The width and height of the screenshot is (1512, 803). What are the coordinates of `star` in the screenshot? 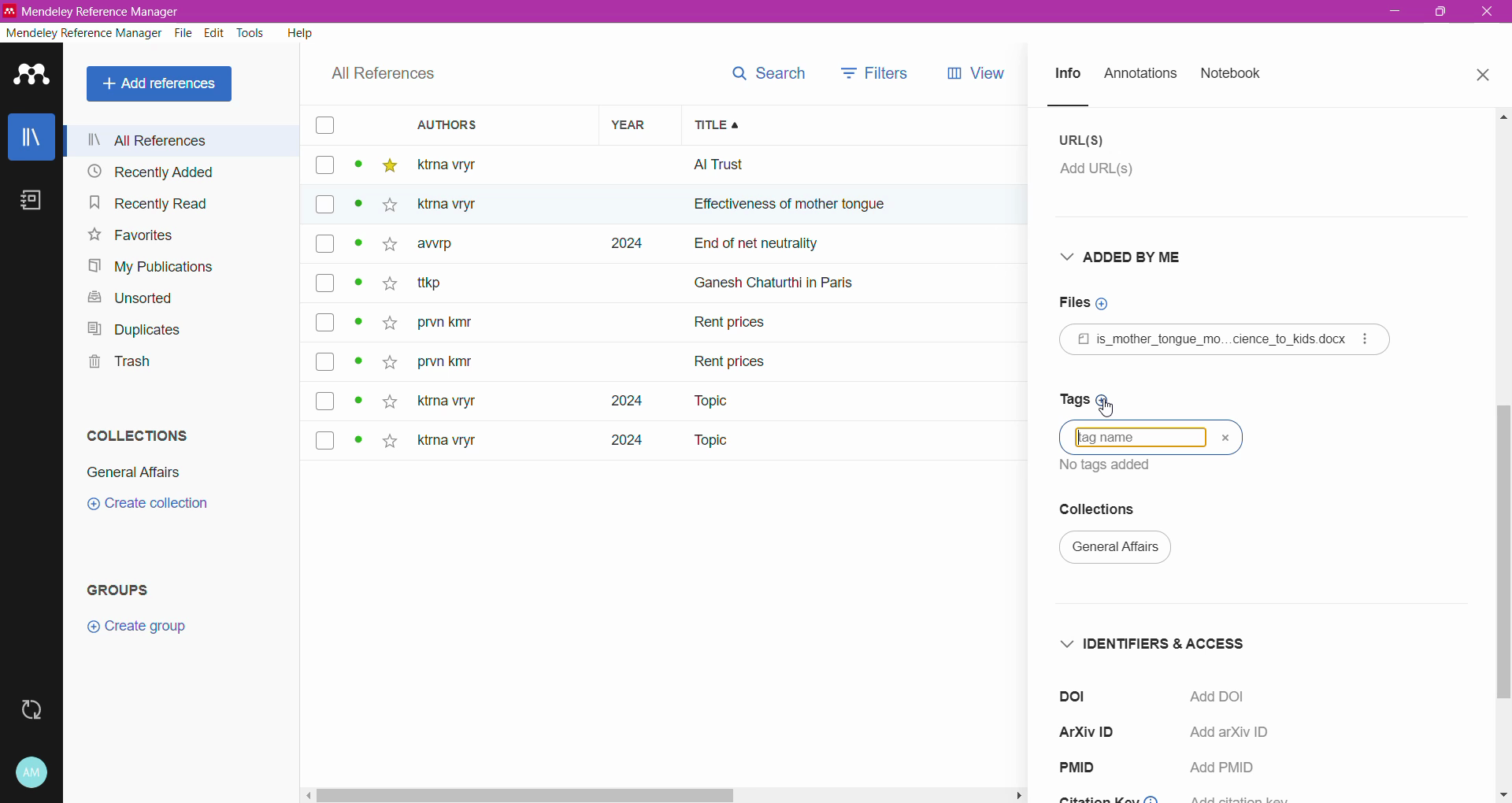 It's located at (388, 358).